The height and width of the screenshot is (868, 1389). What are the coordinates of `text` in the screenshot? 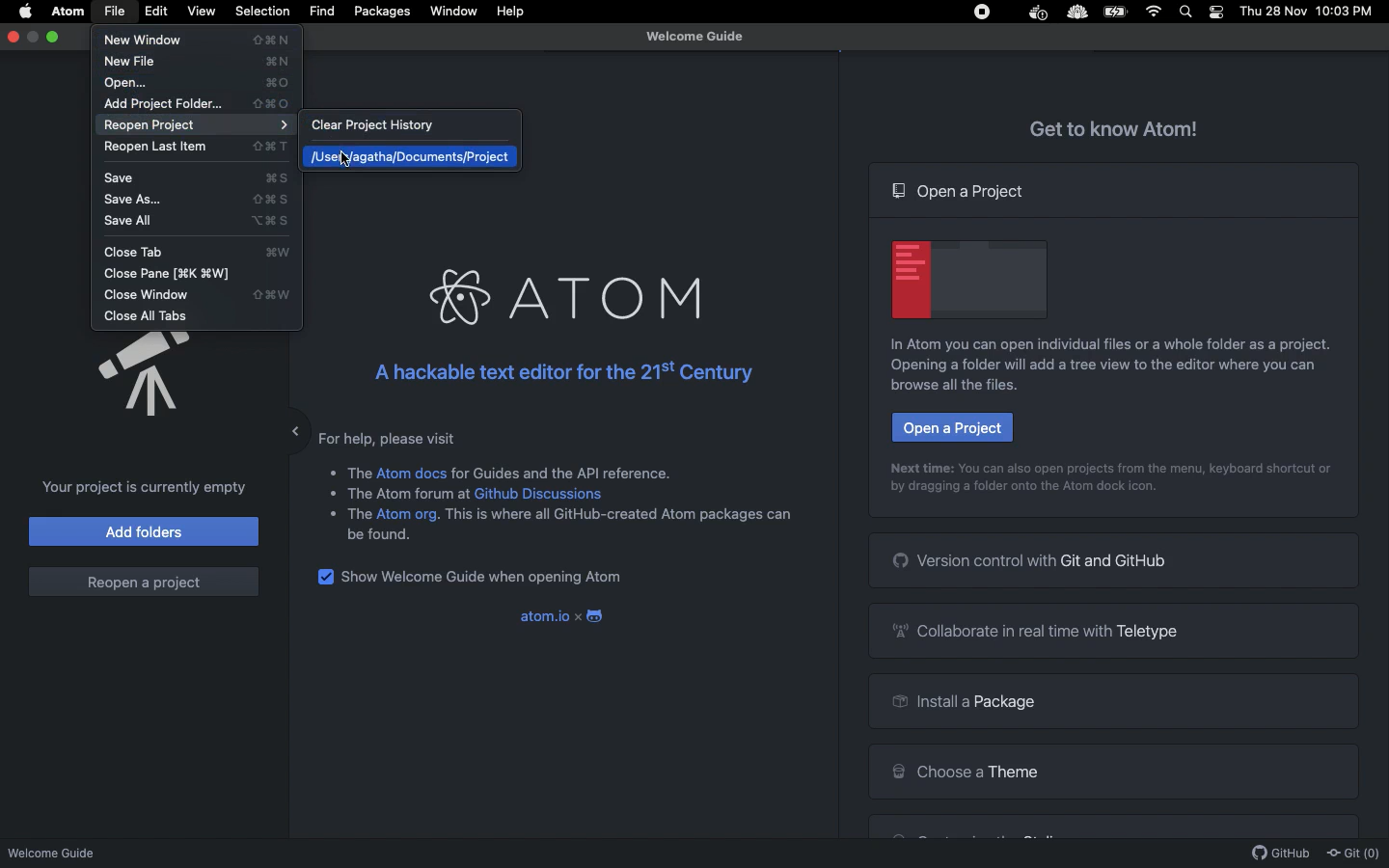 It's located at (411, 497).